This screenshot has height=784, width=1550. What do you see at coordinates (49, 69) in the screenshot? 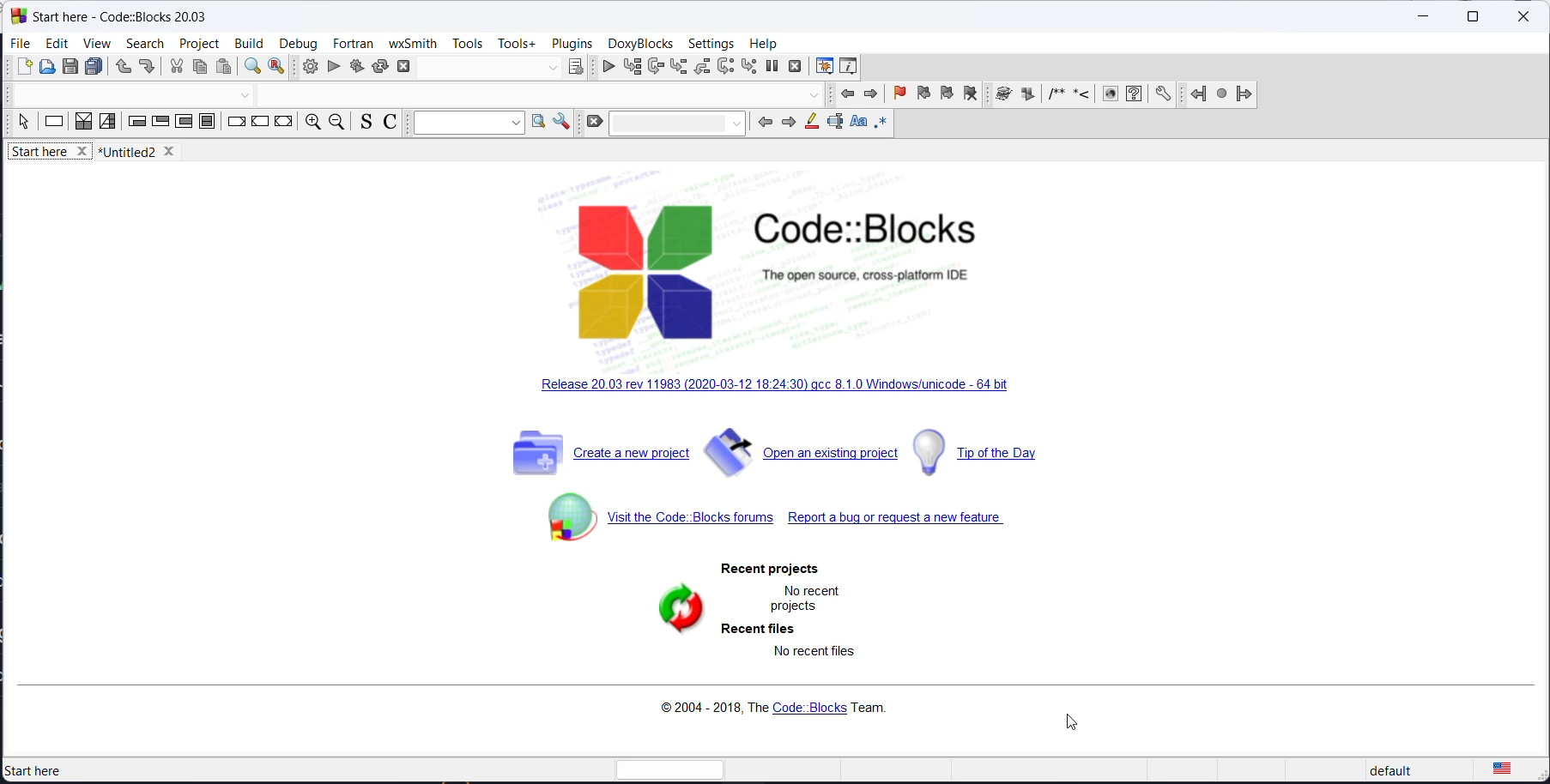
I see `open` at bounding box center [49, 69].